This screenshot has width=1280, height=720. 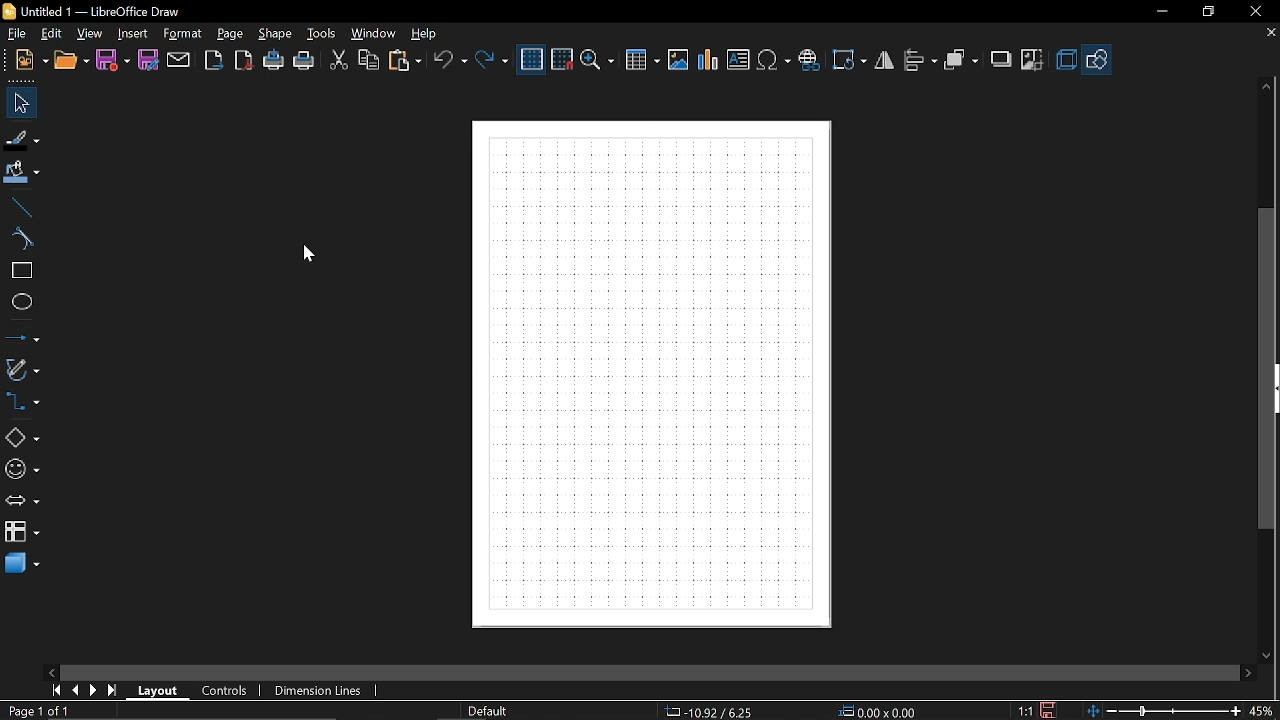 What do you see at coordinates (53, 34) in the screenshot?
I see `Edit` at bounding box center [53, 34].